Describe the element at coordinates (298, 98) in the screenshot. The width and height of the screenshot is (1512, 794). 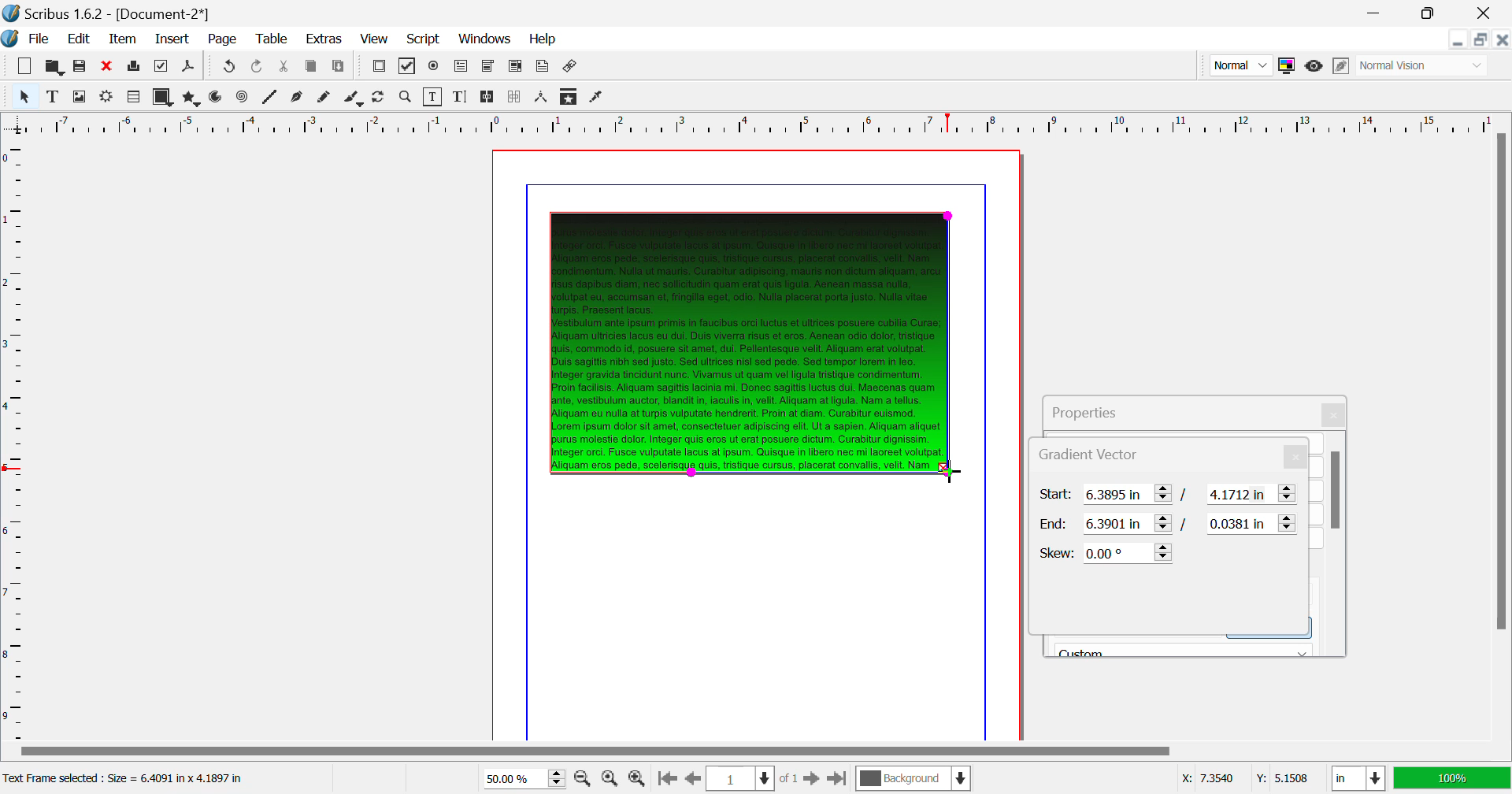
I see `Bezier Curve` at that location.